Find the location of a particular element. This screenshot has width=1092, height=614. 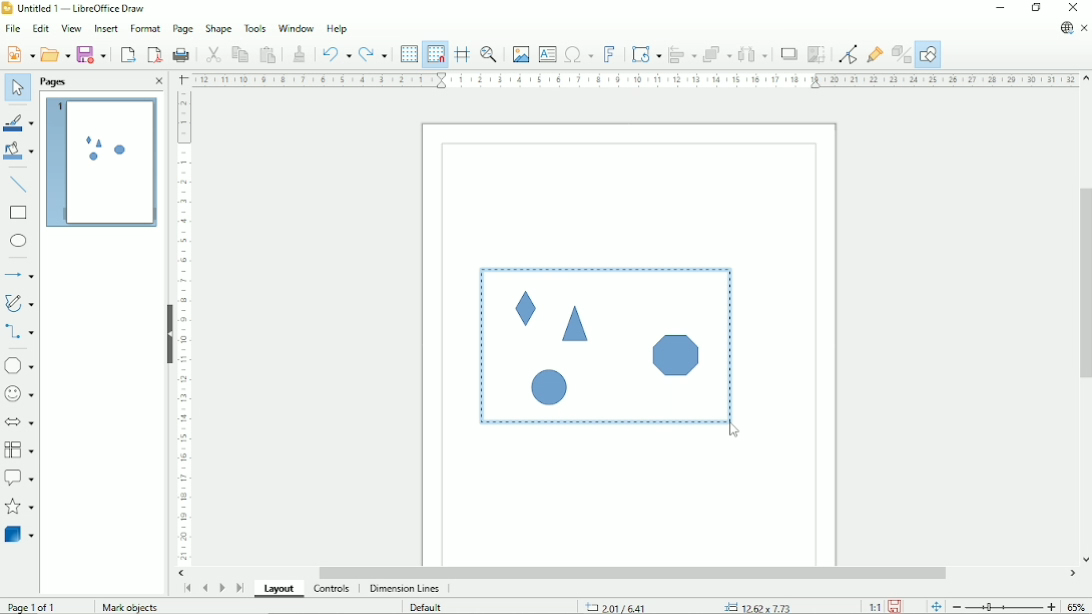

Vertical scroll button is located at coordinates (1085, 559).